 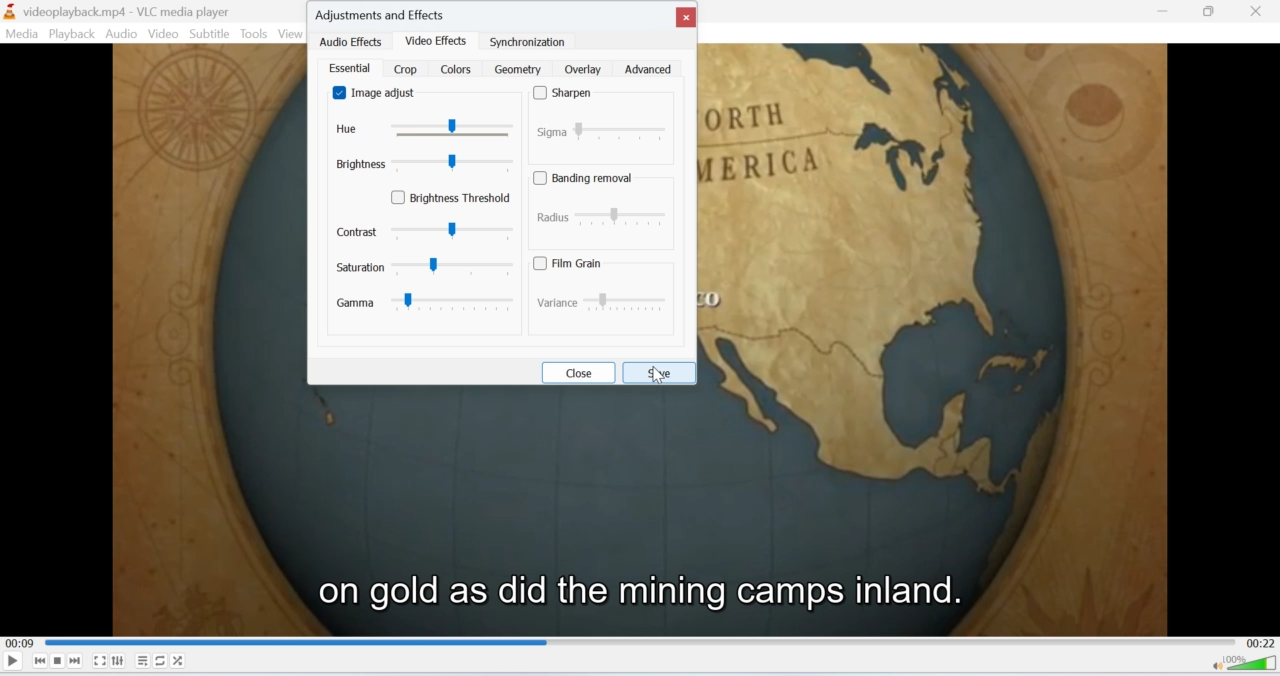 I want to click on adjustments and effects, so click(x=388, y=12).